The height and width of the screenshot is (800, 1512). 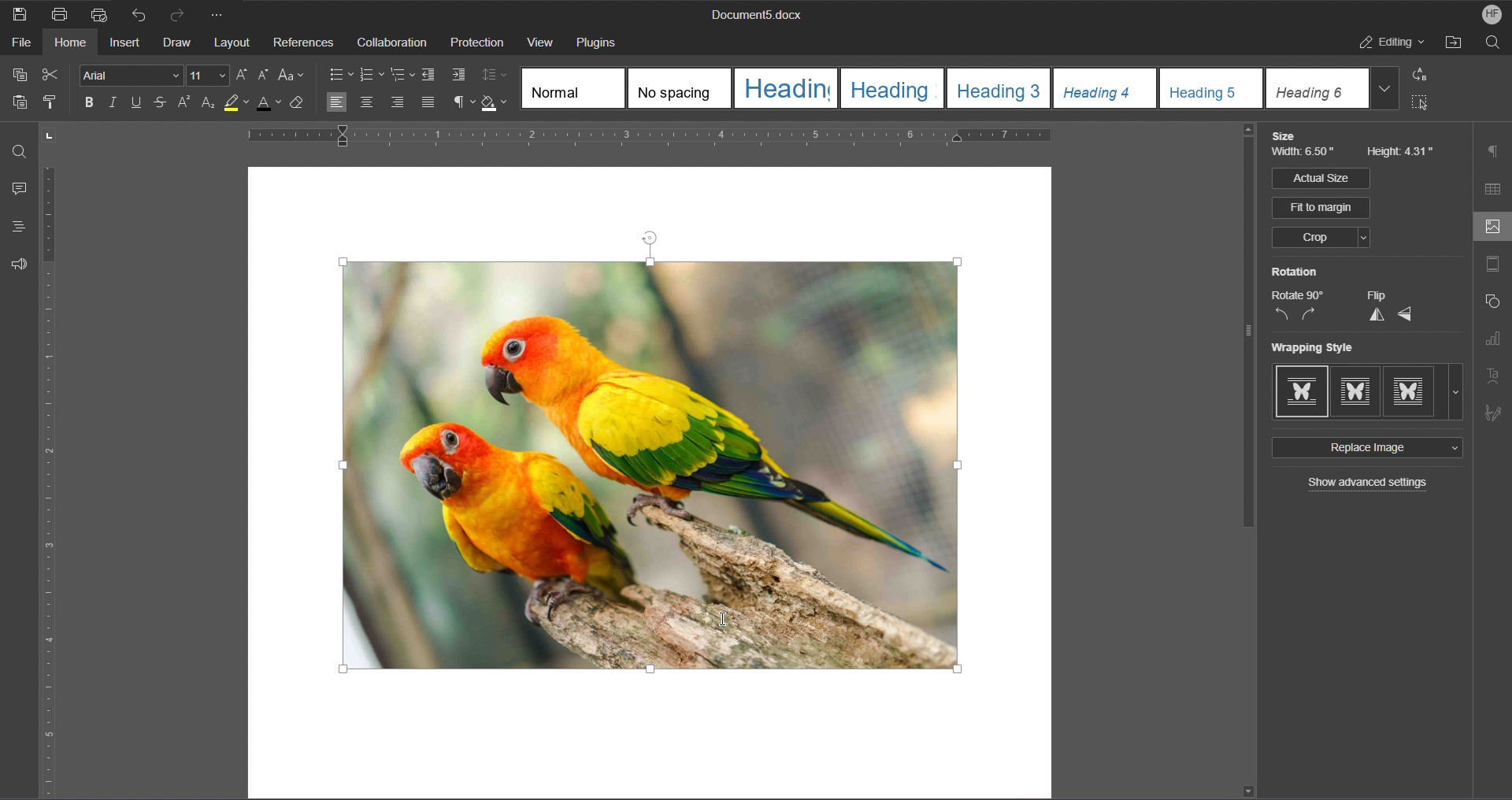 I want to click on References, so click(x=303, y=43).